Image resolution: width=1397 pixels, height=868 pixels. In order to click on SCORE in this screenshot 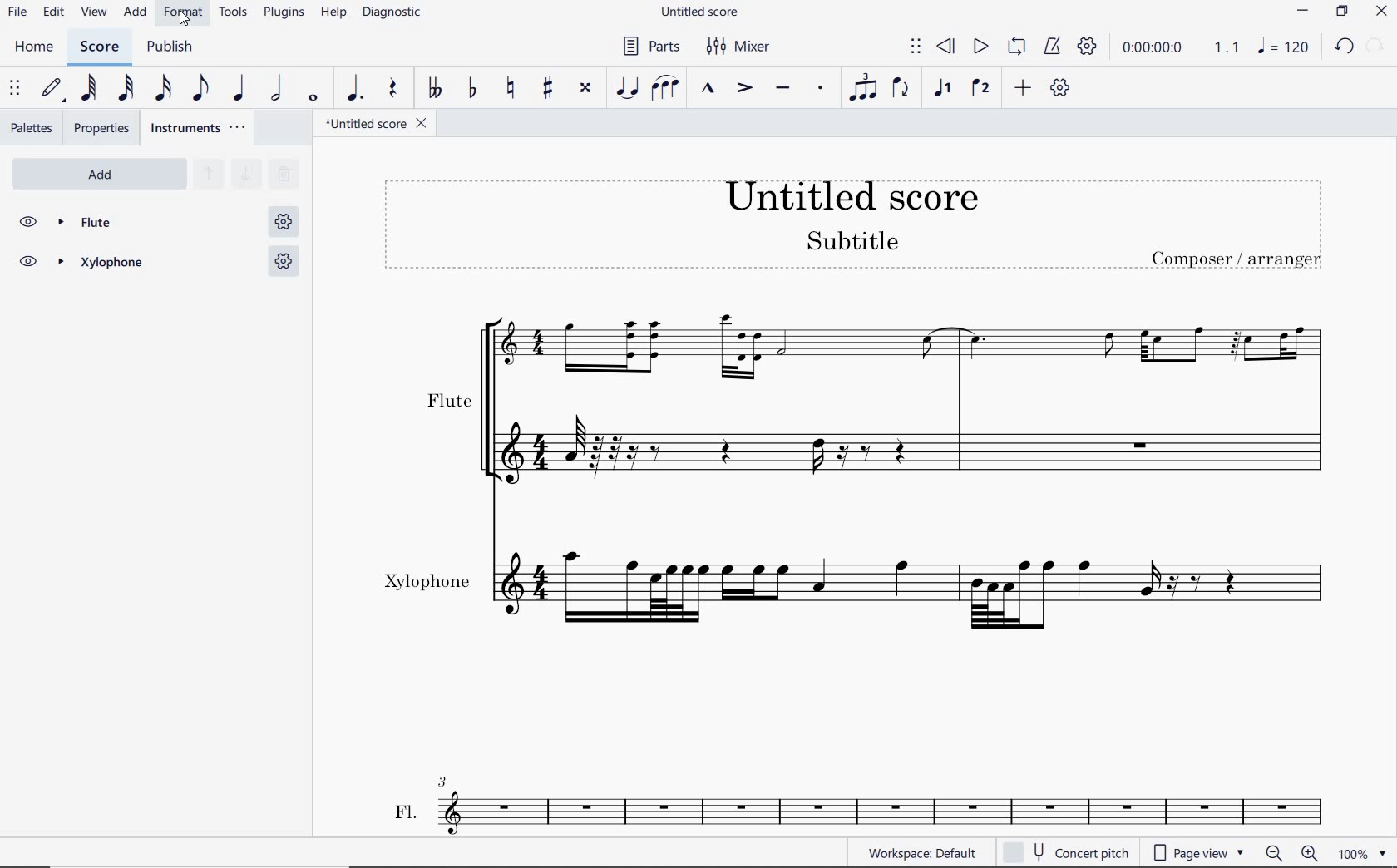, I will do `click(98, 46)`.